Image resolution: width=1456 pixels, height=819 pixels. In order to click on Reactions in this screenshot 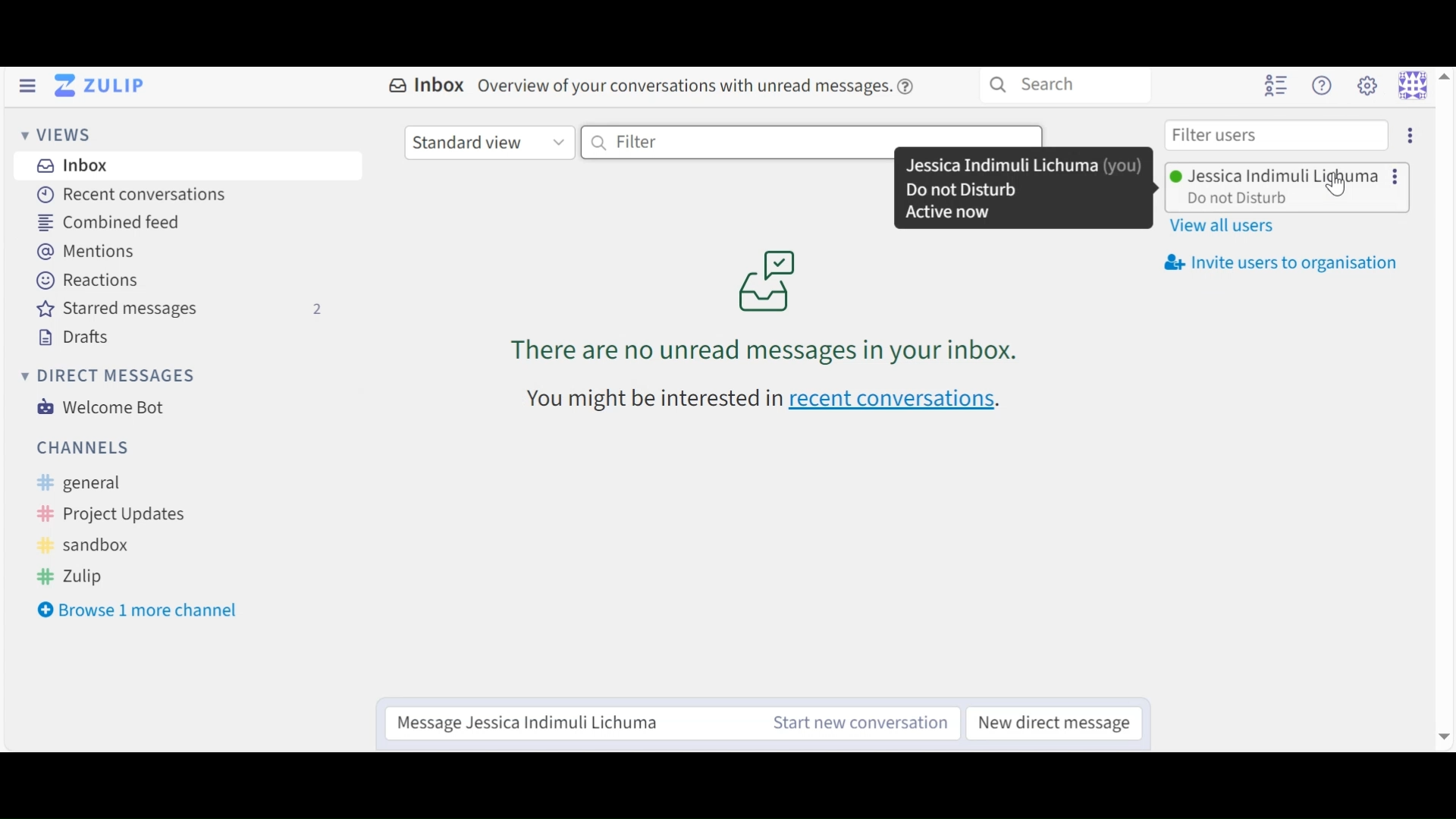, I will do `click(87, 281)`.